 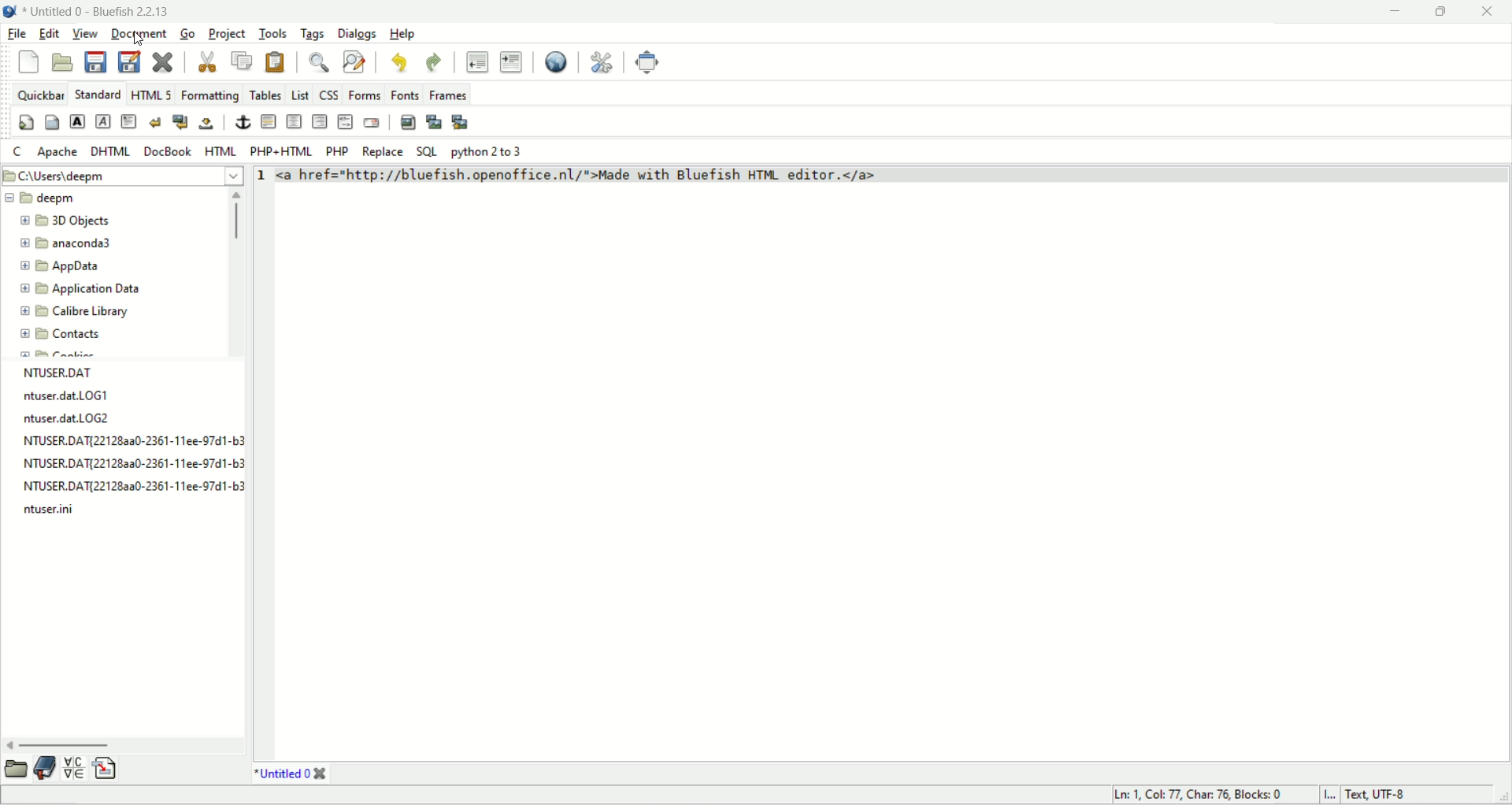 What do you see at coordinates (273, 31) in the screenshot?
I see `tools` at bounding box center [273, 31].